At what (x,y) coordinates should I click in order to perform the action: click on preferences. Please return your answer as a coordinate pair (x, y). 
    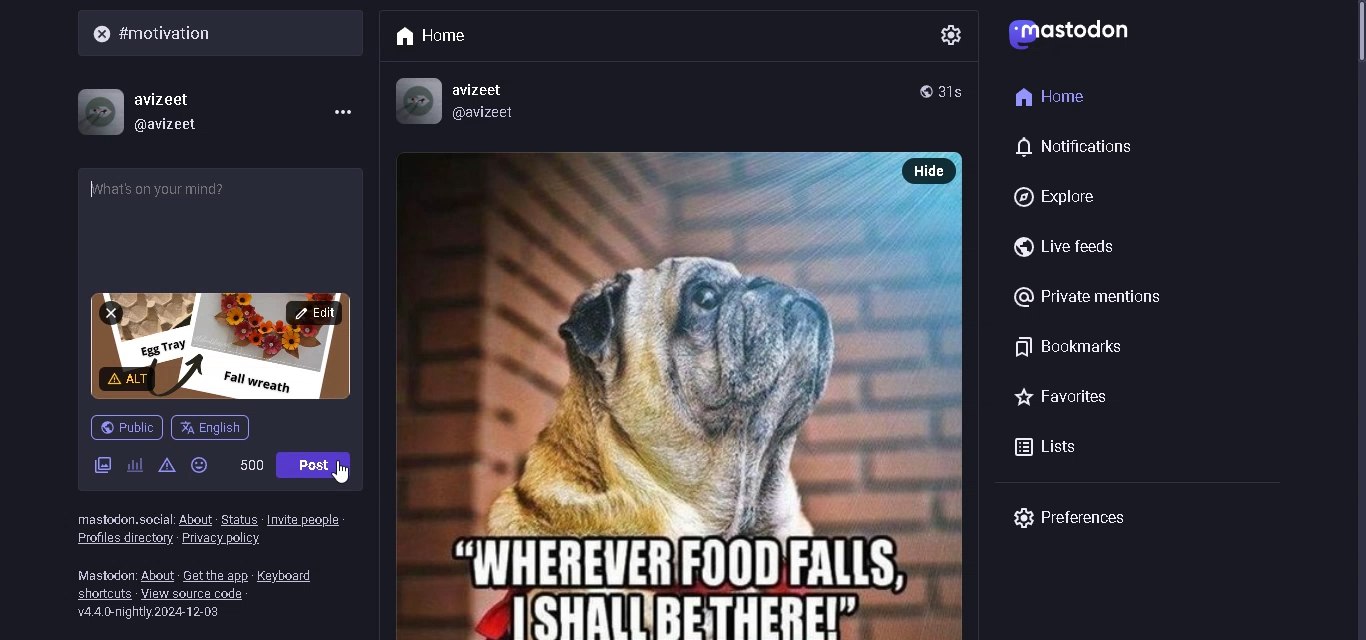
    Looking at the image, I should click on (1068, 518).